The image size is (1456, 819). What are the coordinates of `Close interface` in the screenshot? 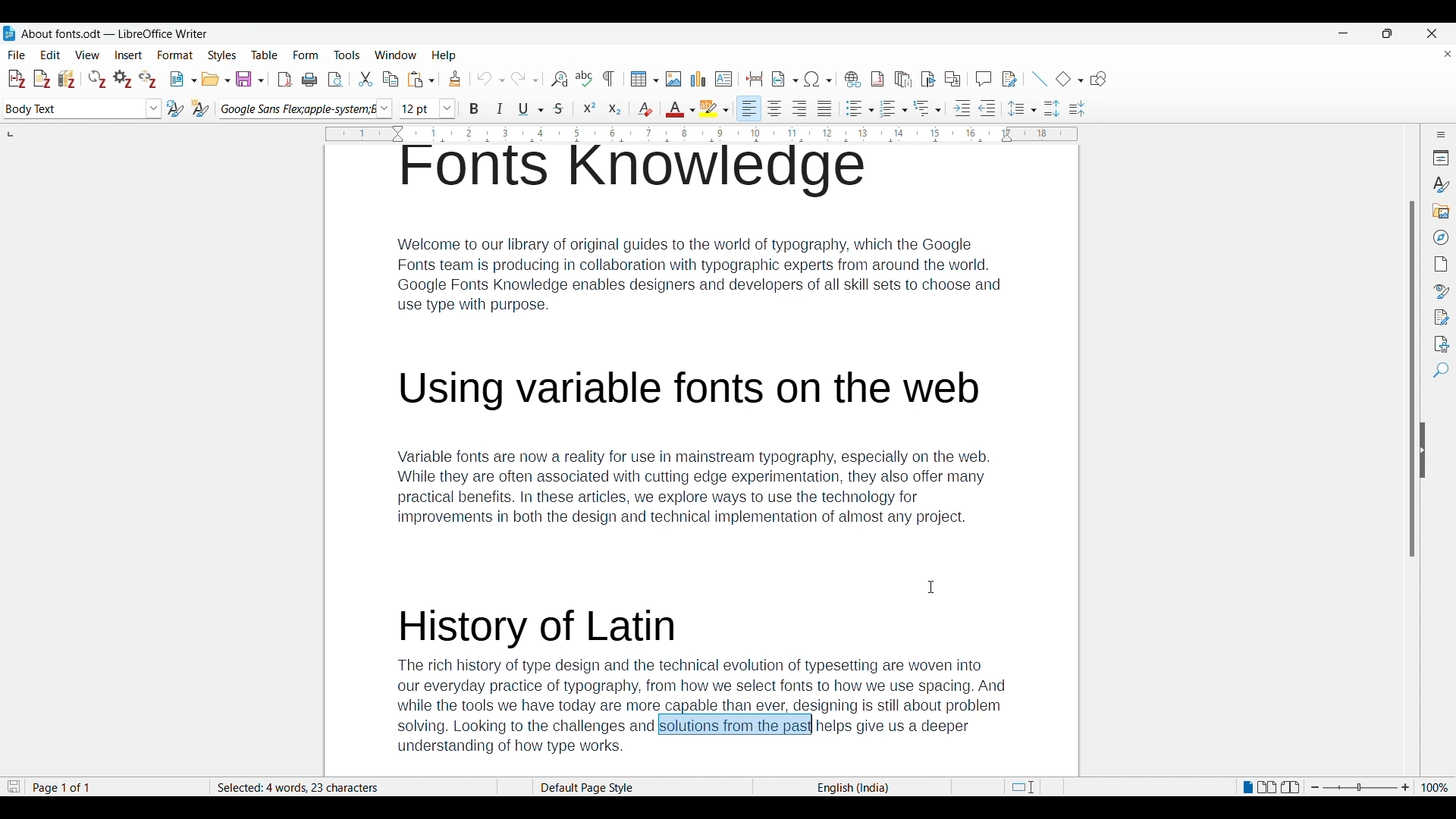 It's located at (1432, 33).